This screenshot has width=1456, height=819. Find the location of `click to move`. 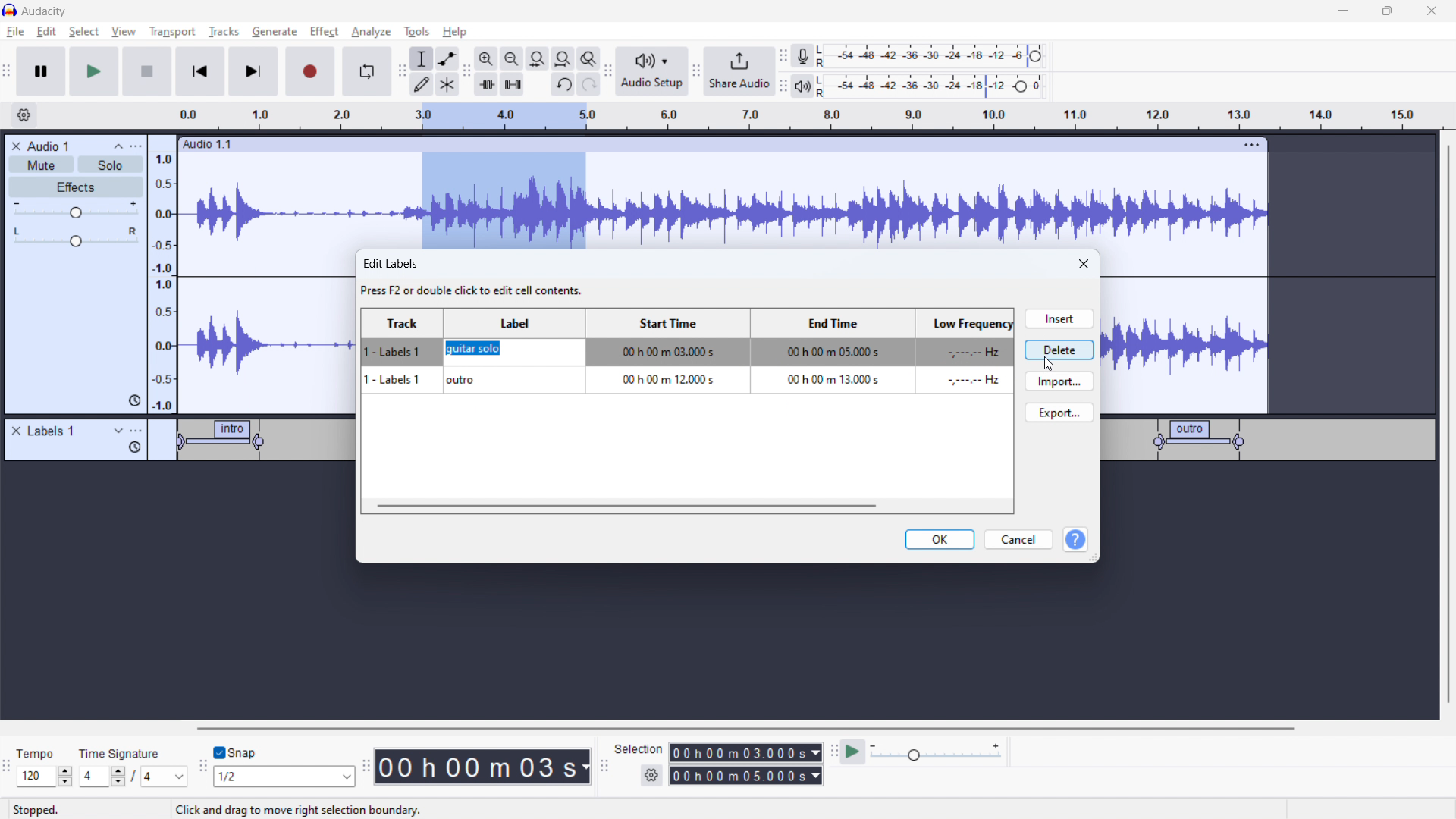

click to move is located at coordinates (708, 145).